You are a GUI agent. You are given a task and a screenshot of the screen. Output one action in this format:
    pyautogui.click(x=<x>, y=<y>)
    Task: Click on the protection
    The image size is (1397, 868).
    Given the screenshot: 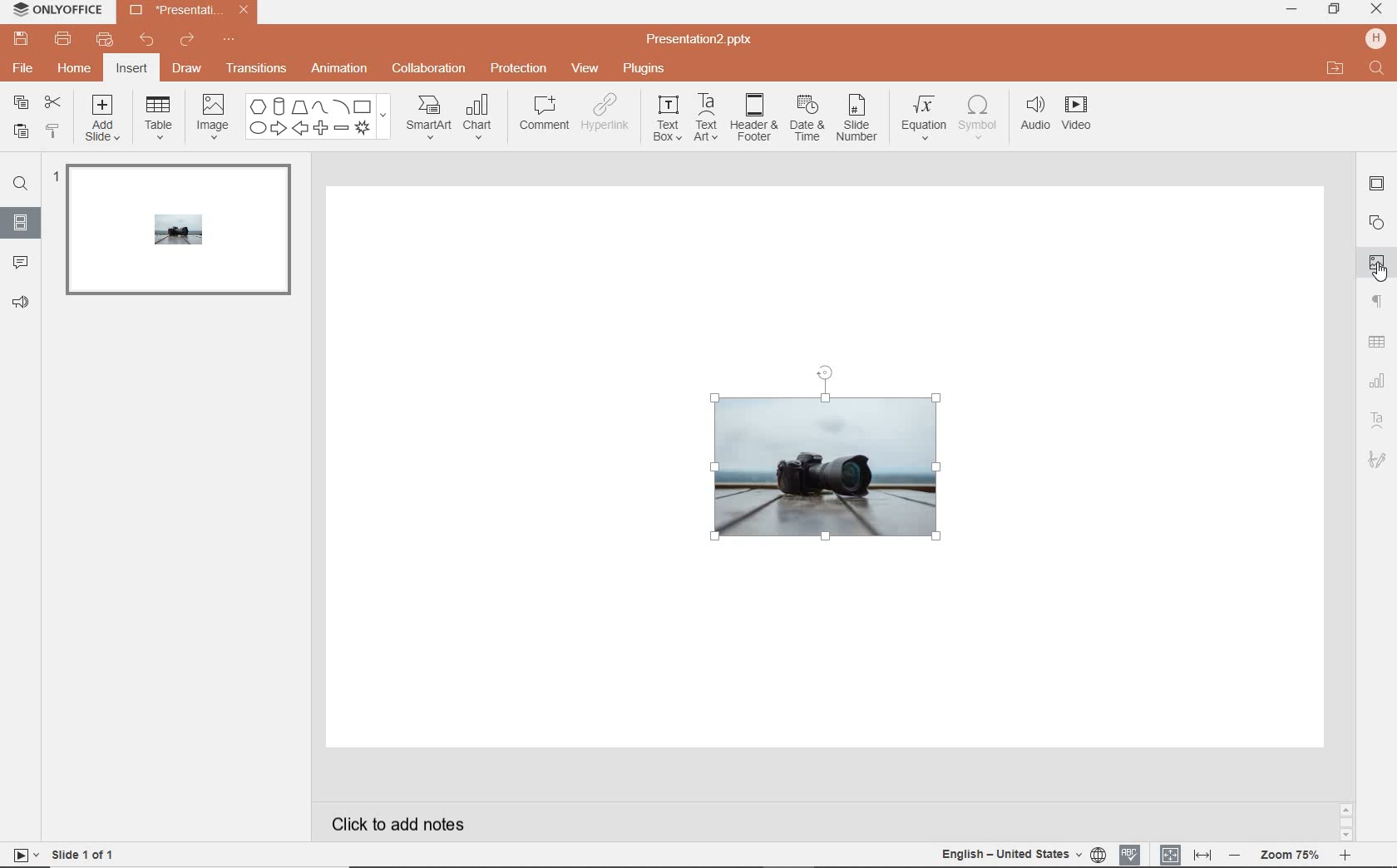 What is the action you would take?
    pyautogui.click(x=518, y=70)
    